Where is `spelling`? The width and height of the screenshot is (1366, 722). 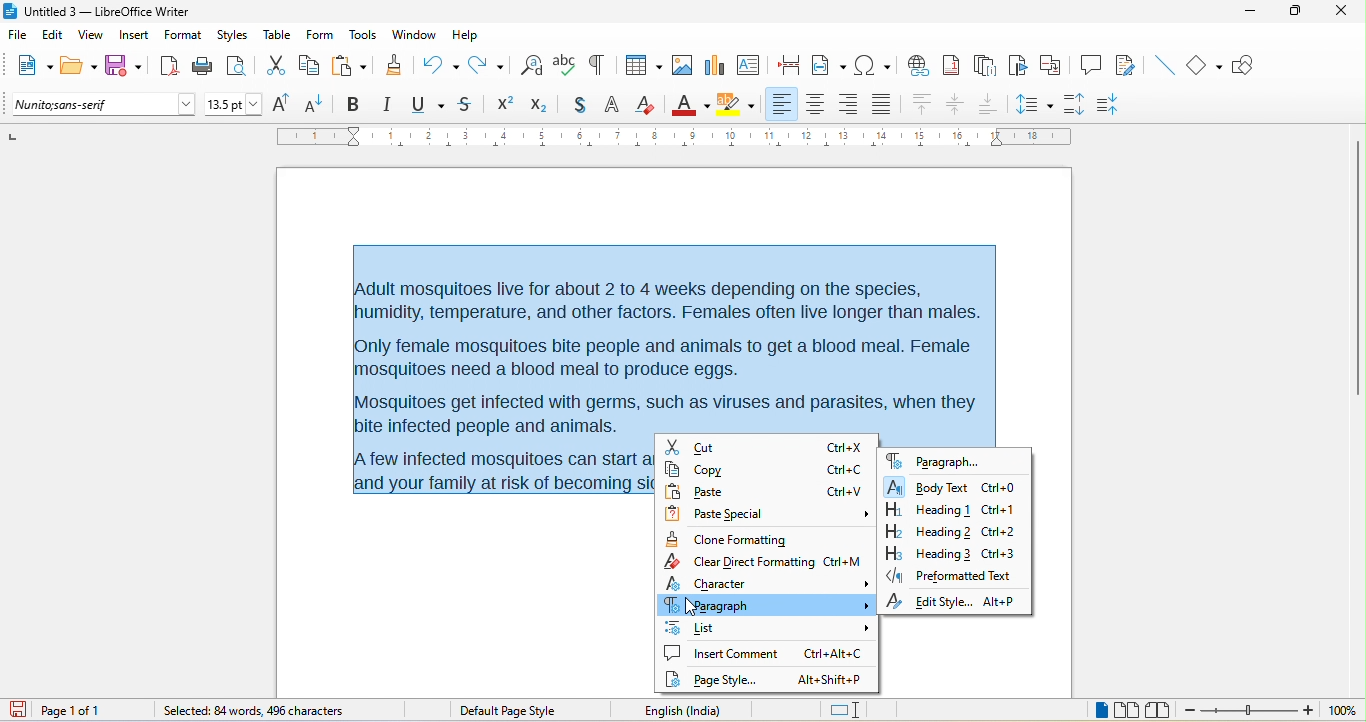
spelling is located at coordinates (565, 63).